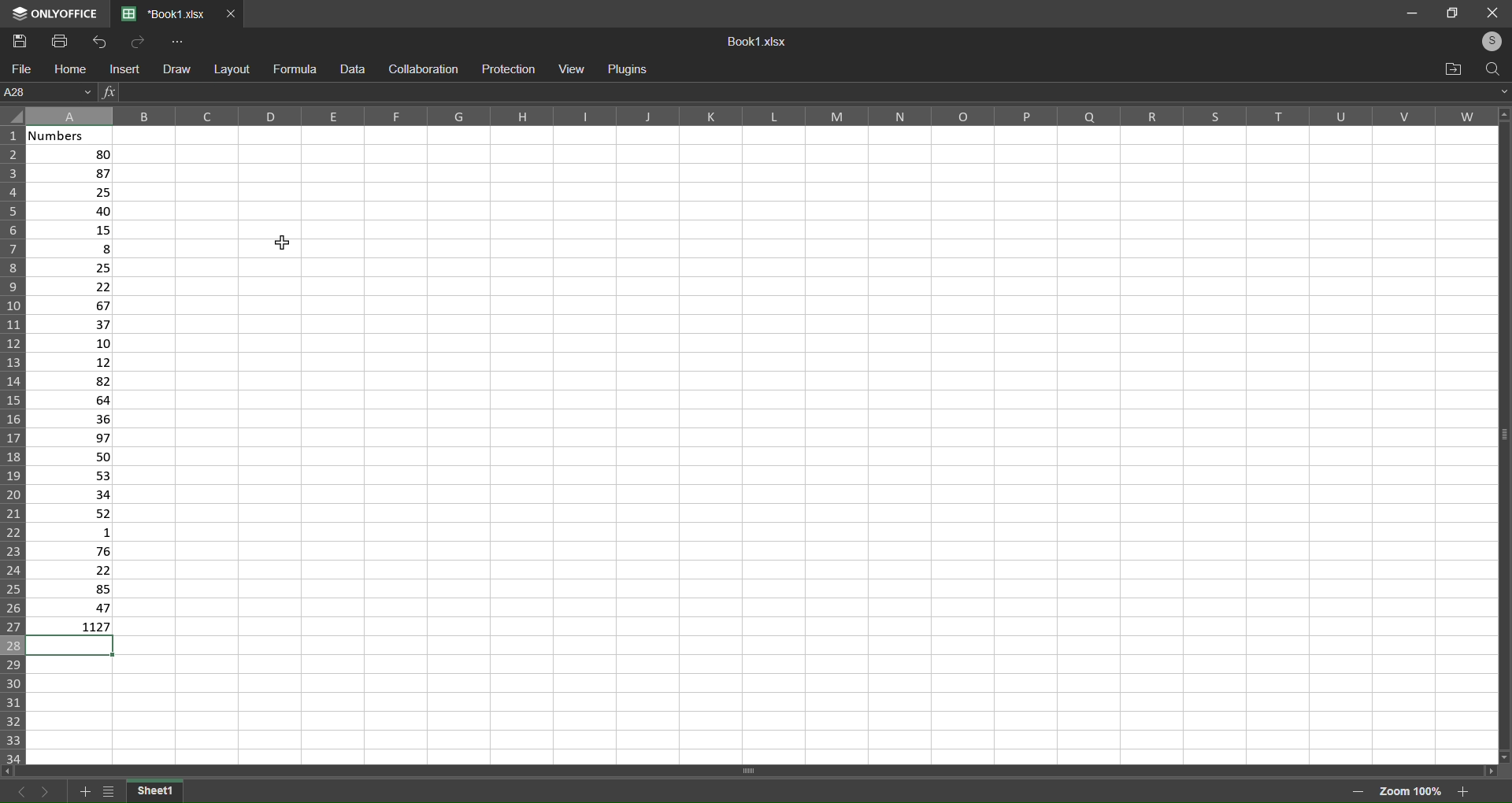 The image size is (1512, 803). What do you see at coordinates (75, 649) in the screenshot?
I see `selected cell` at bounding box center [75, 649].